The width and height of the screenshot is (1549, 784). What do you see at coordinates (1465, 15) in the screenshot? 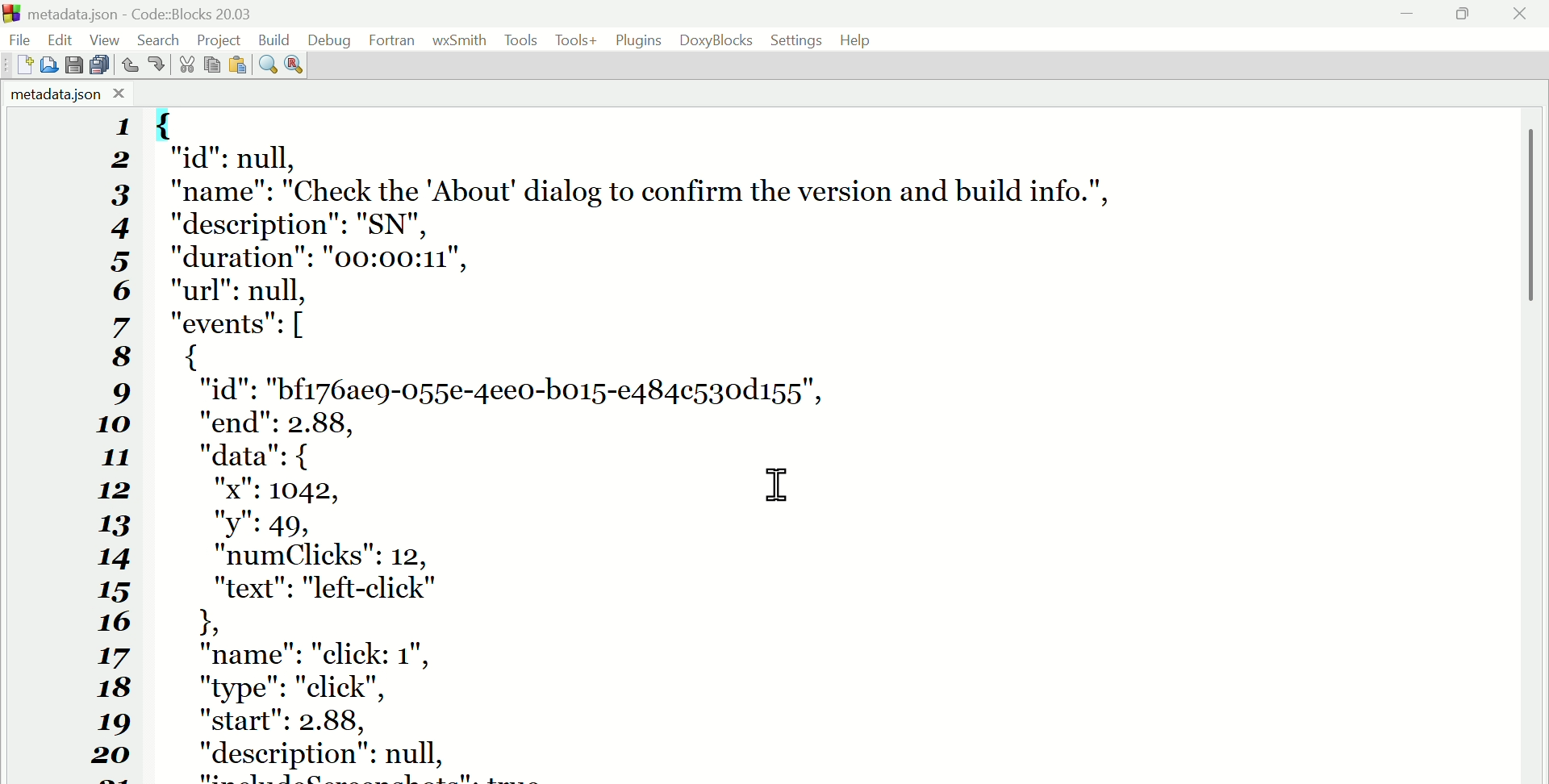
I see `Maximise` at bounding box center [1465, 15].